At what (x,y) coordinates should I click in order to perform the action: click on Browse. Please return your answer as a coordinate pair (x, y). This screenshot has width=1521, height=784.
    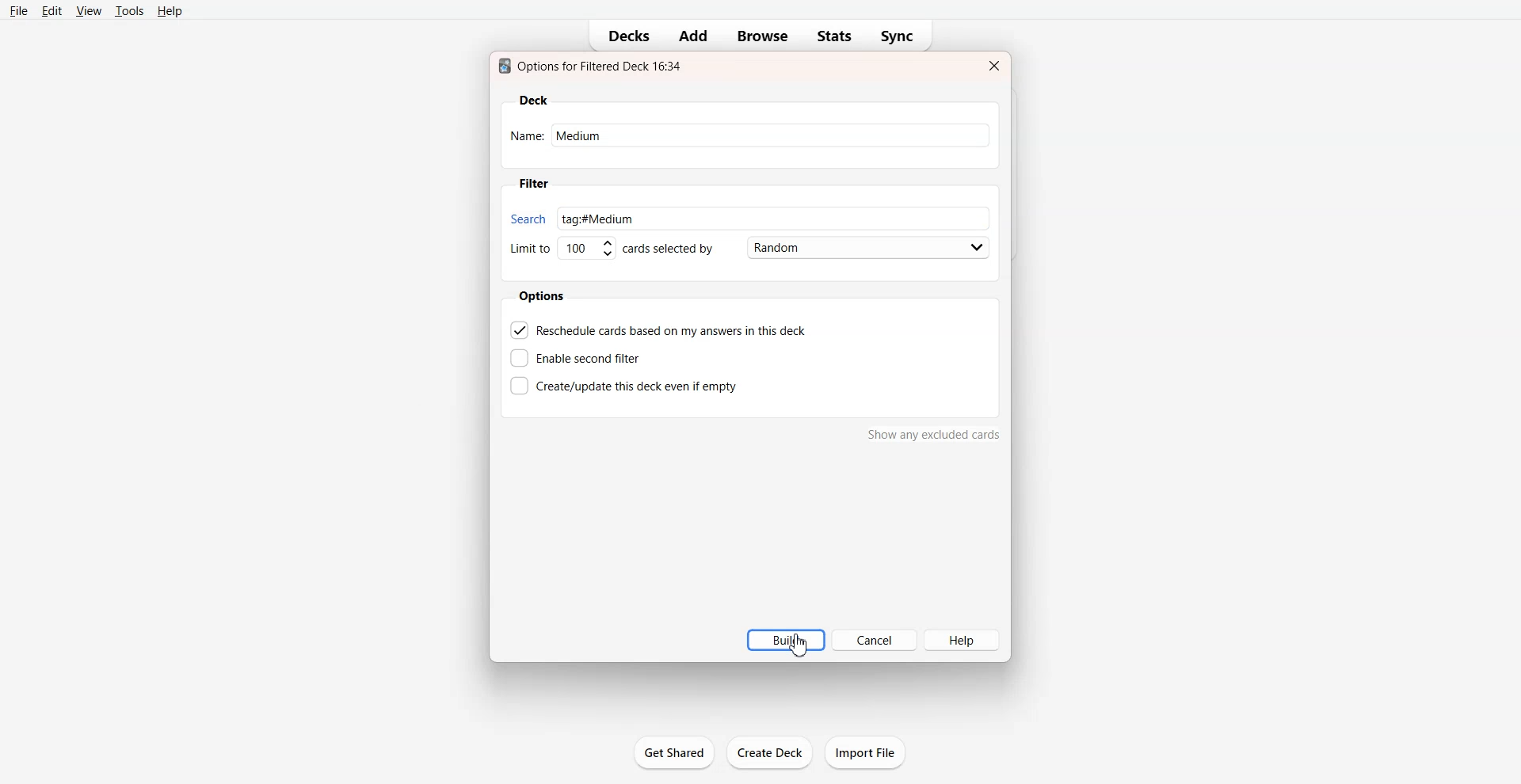
    Looking at the image, I should click on (764, 36).